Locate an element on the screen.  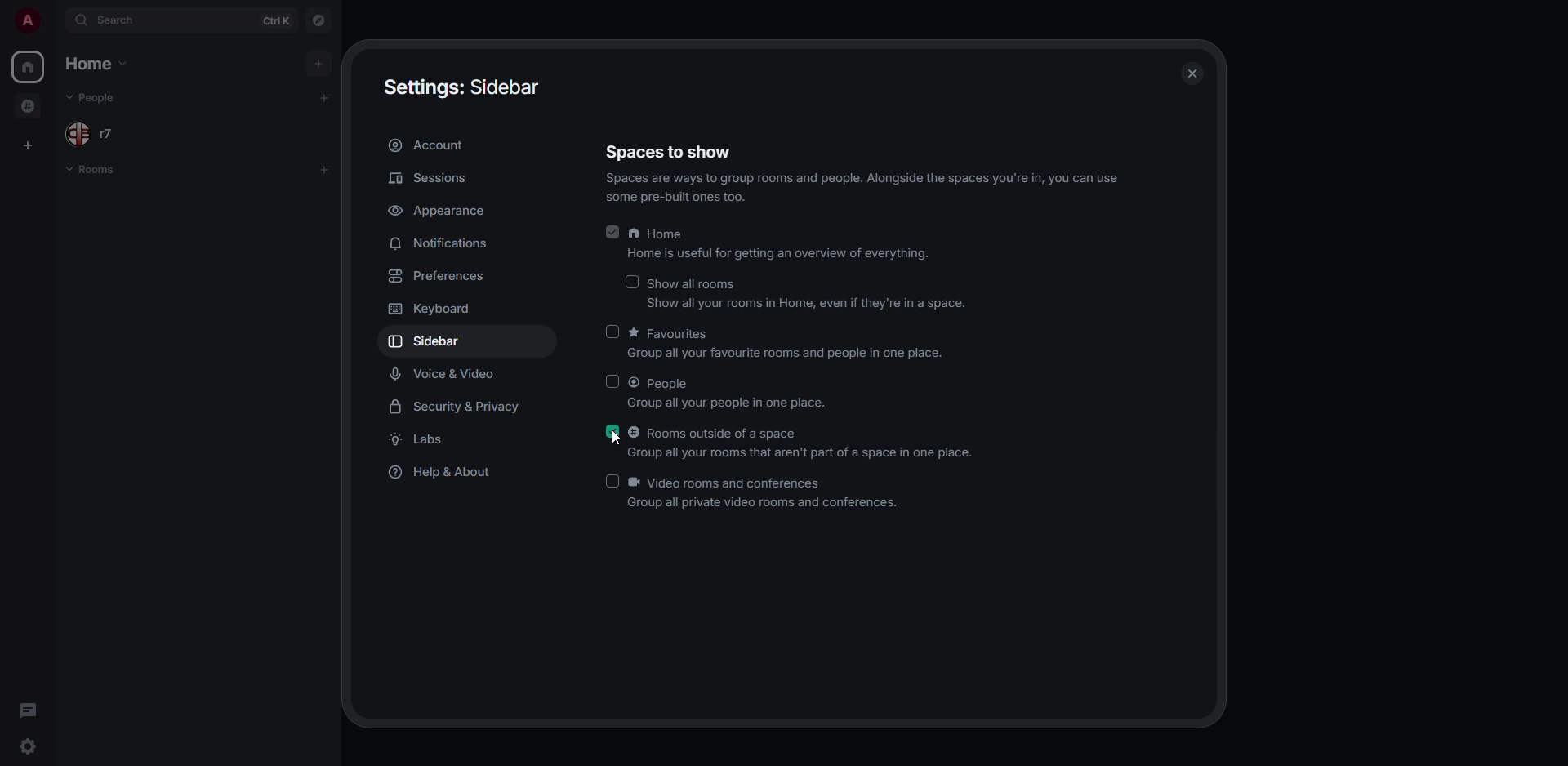
click to enable is located at coordinates (613, 331).